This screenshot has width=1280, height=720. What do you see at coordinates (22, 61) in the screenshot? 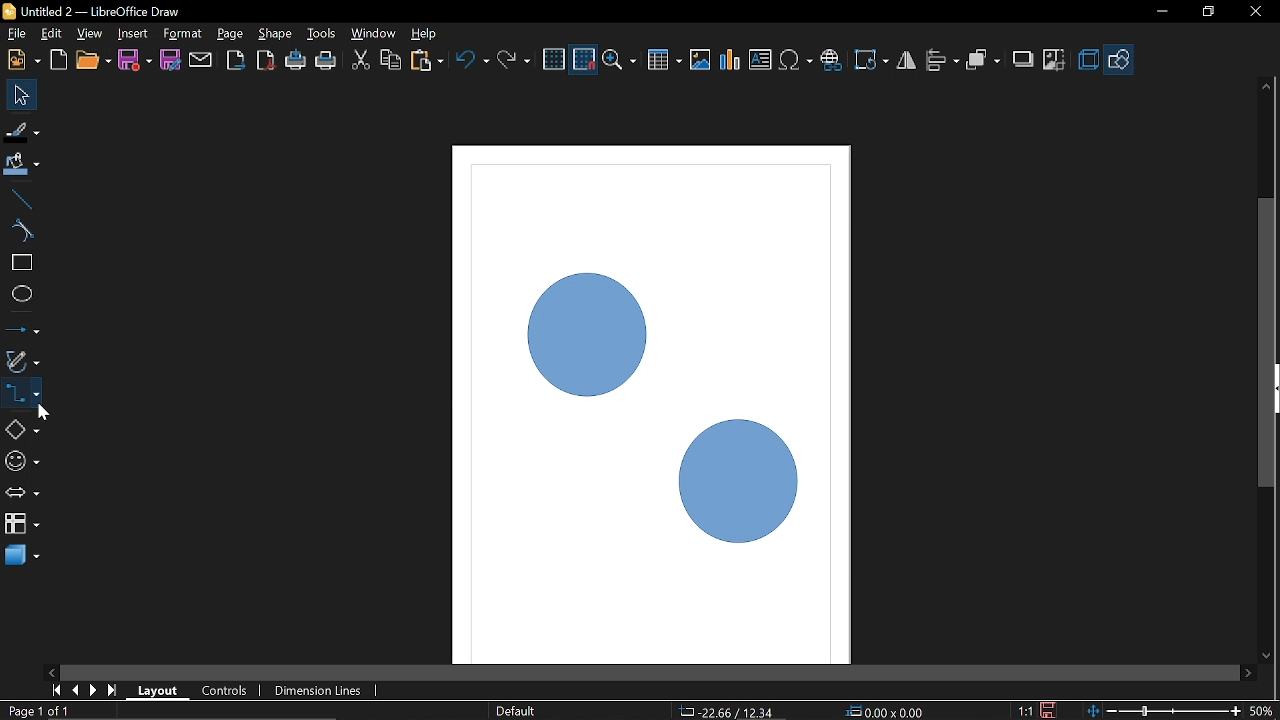
I see `New` at bounding box center [22, 61].